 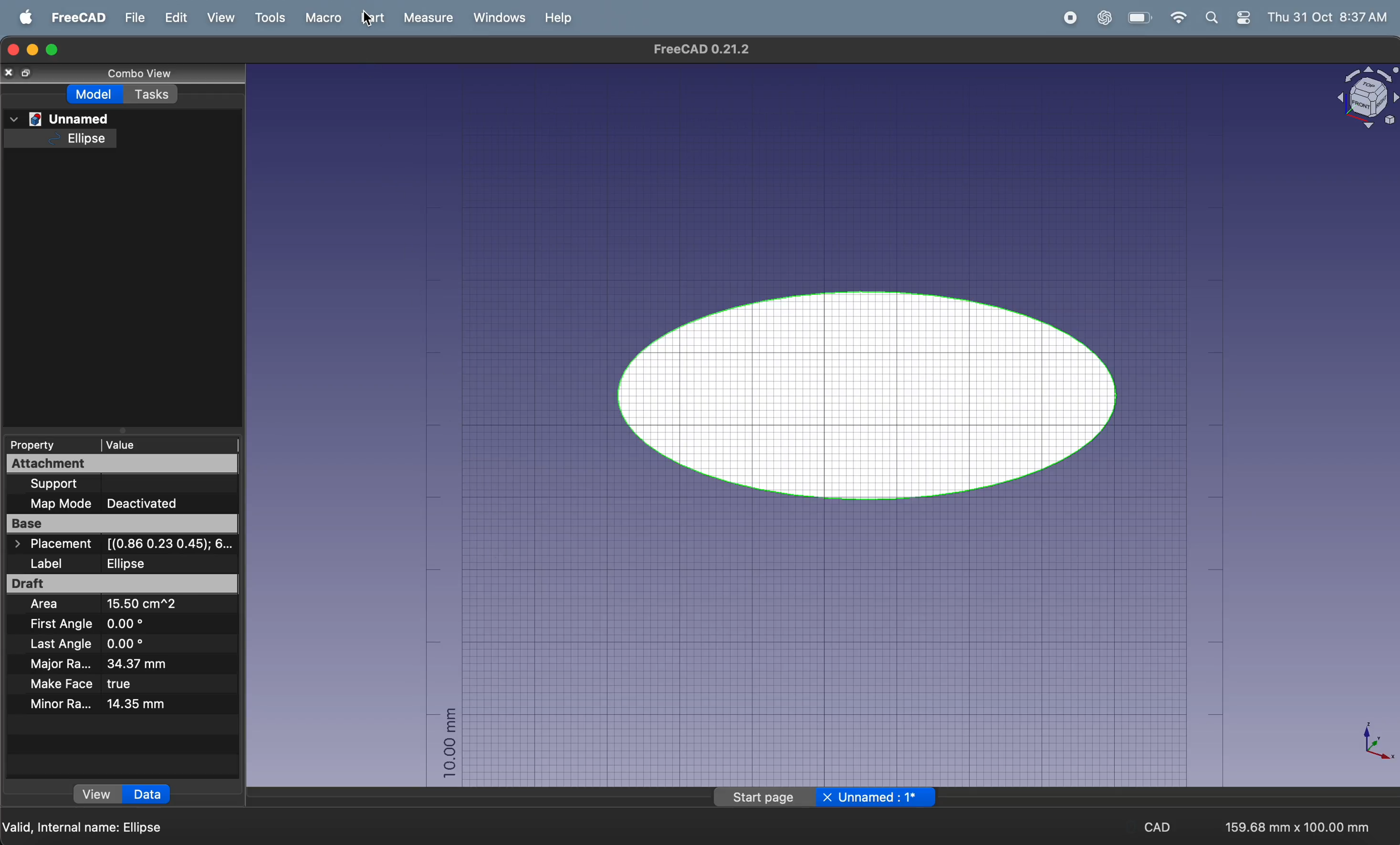 I want to click on attachment, so click(x=118, y=463).